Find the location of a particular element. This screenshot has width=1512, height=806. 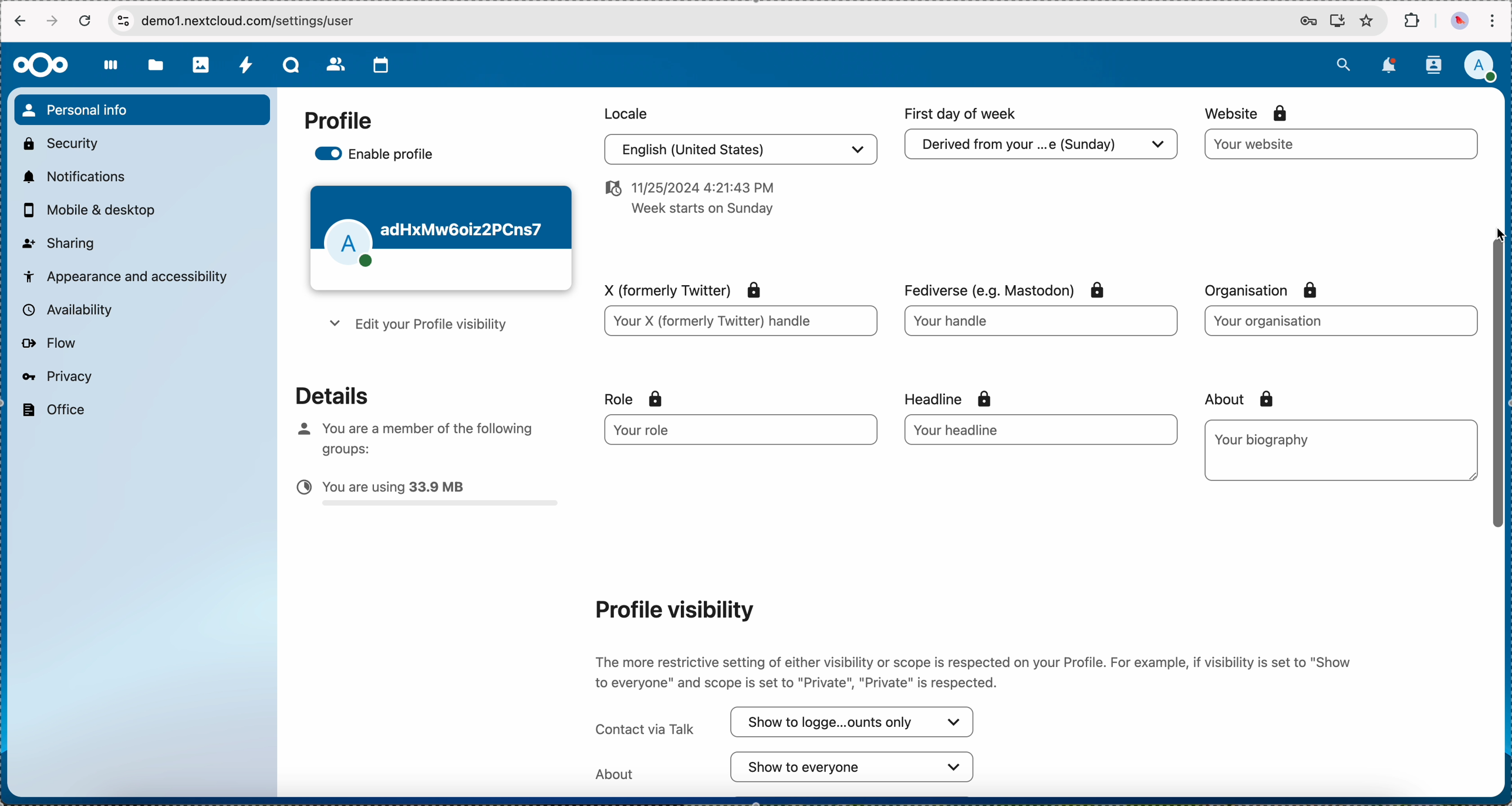

profile is located at coordinates (338, 121).